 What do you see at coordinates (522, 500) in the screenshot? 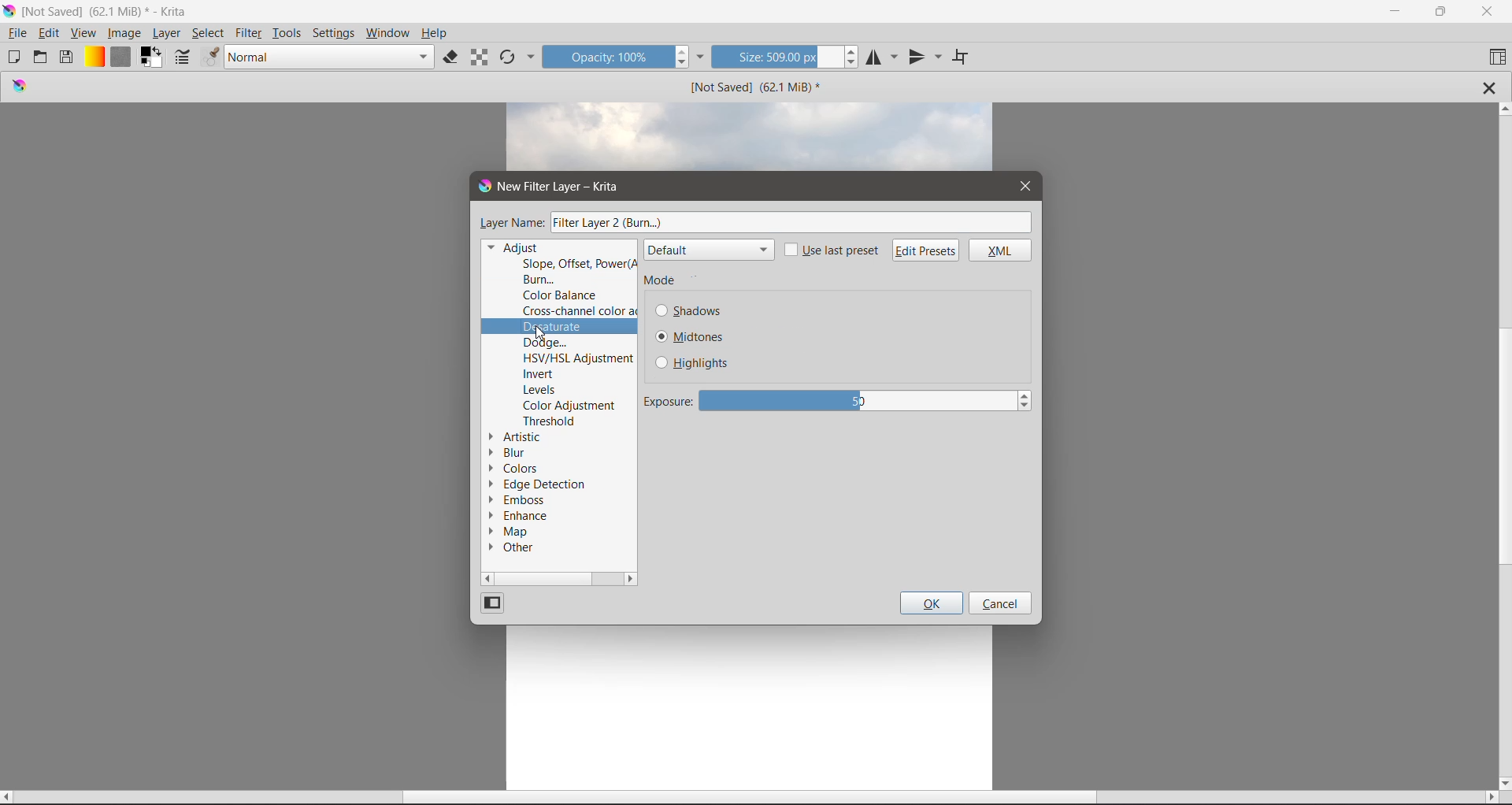
I see `Emboss` at bounding box center [522, 500].